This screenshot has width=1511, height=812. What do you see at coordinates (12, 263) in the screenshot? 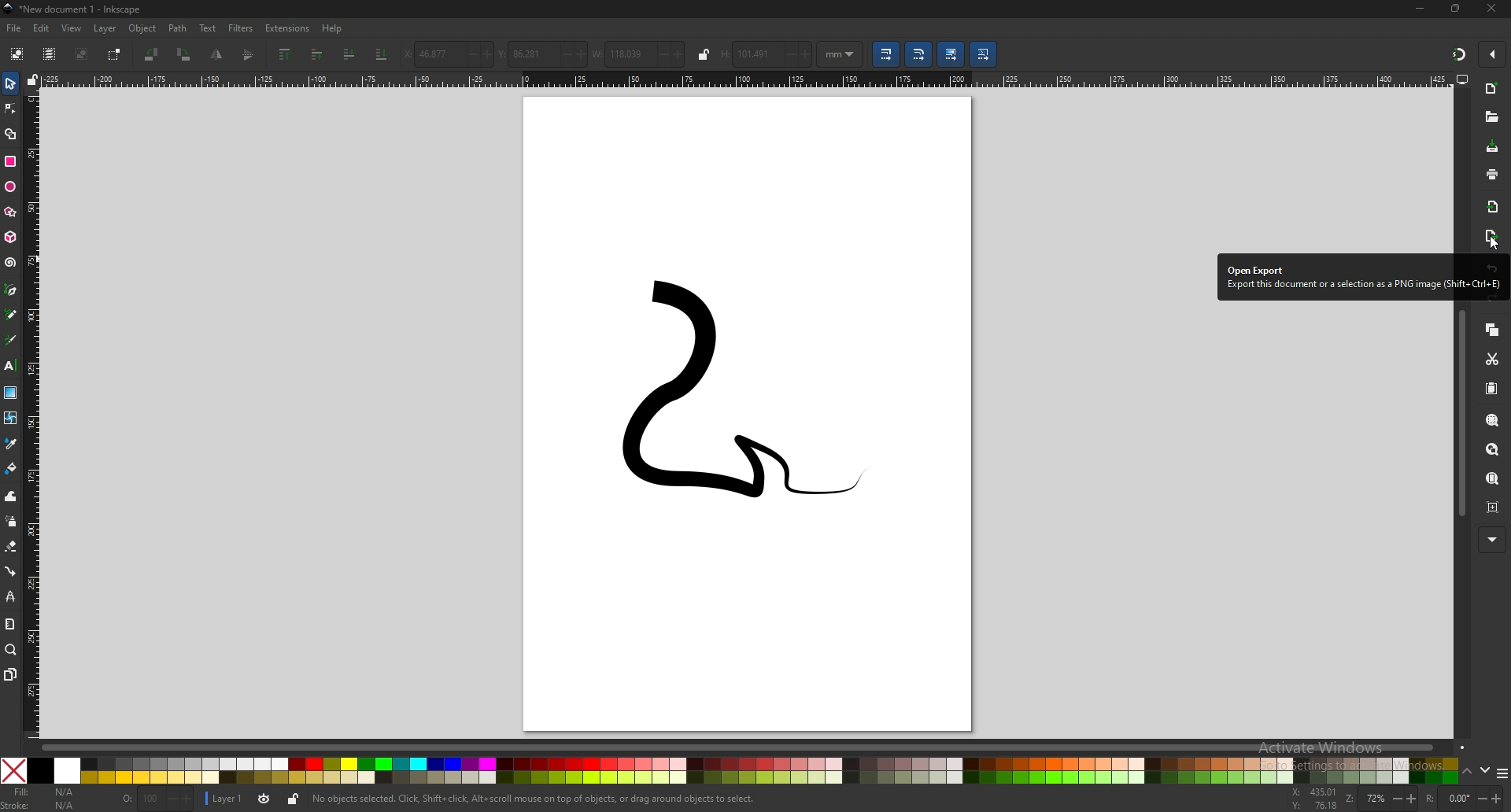
I see `spiral` at bounding box center [12, 263].